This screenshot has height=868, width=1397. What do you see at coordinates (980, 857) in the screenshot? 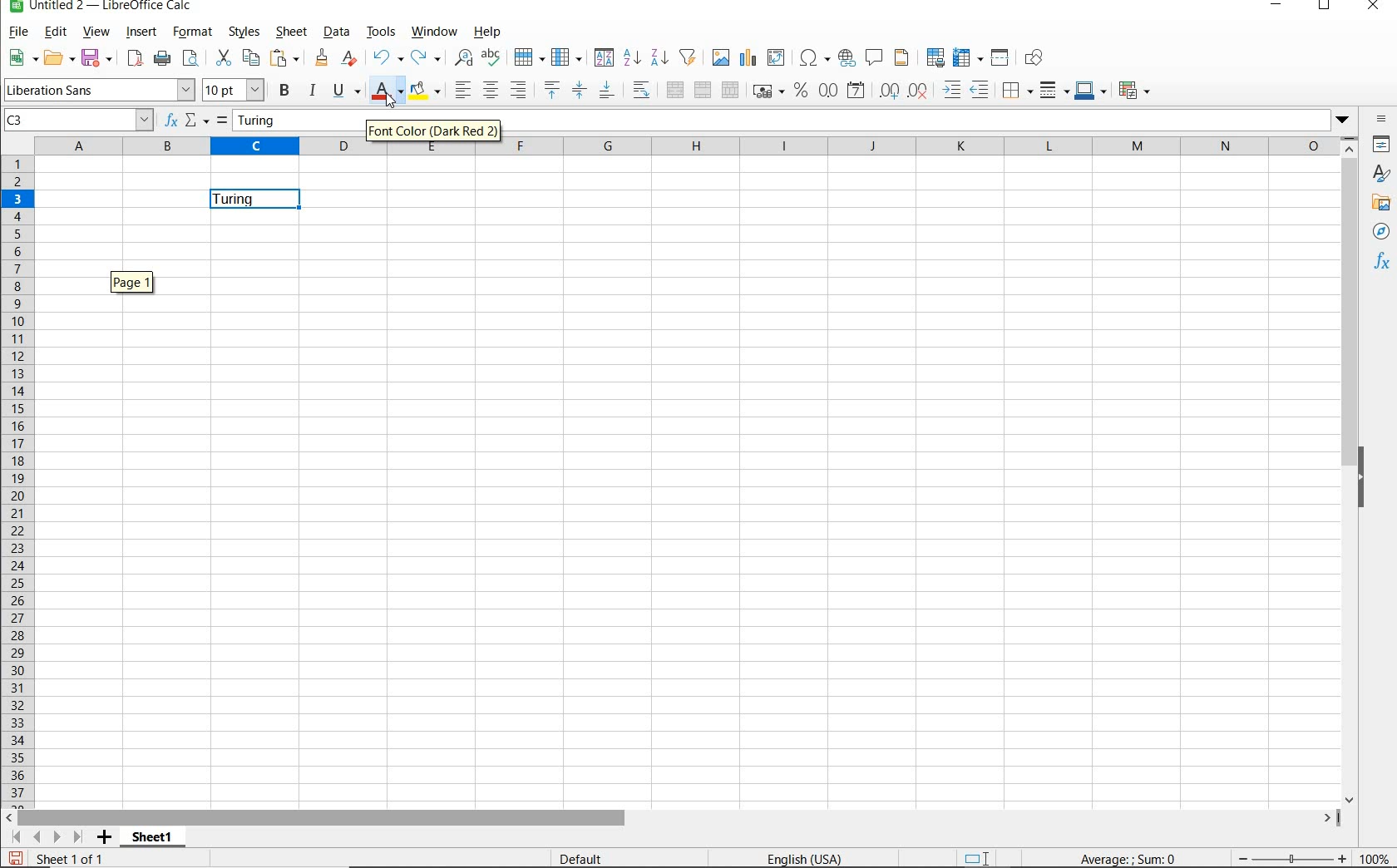
I see `STANDARD SELECTION` at bounding box center [980, 857].